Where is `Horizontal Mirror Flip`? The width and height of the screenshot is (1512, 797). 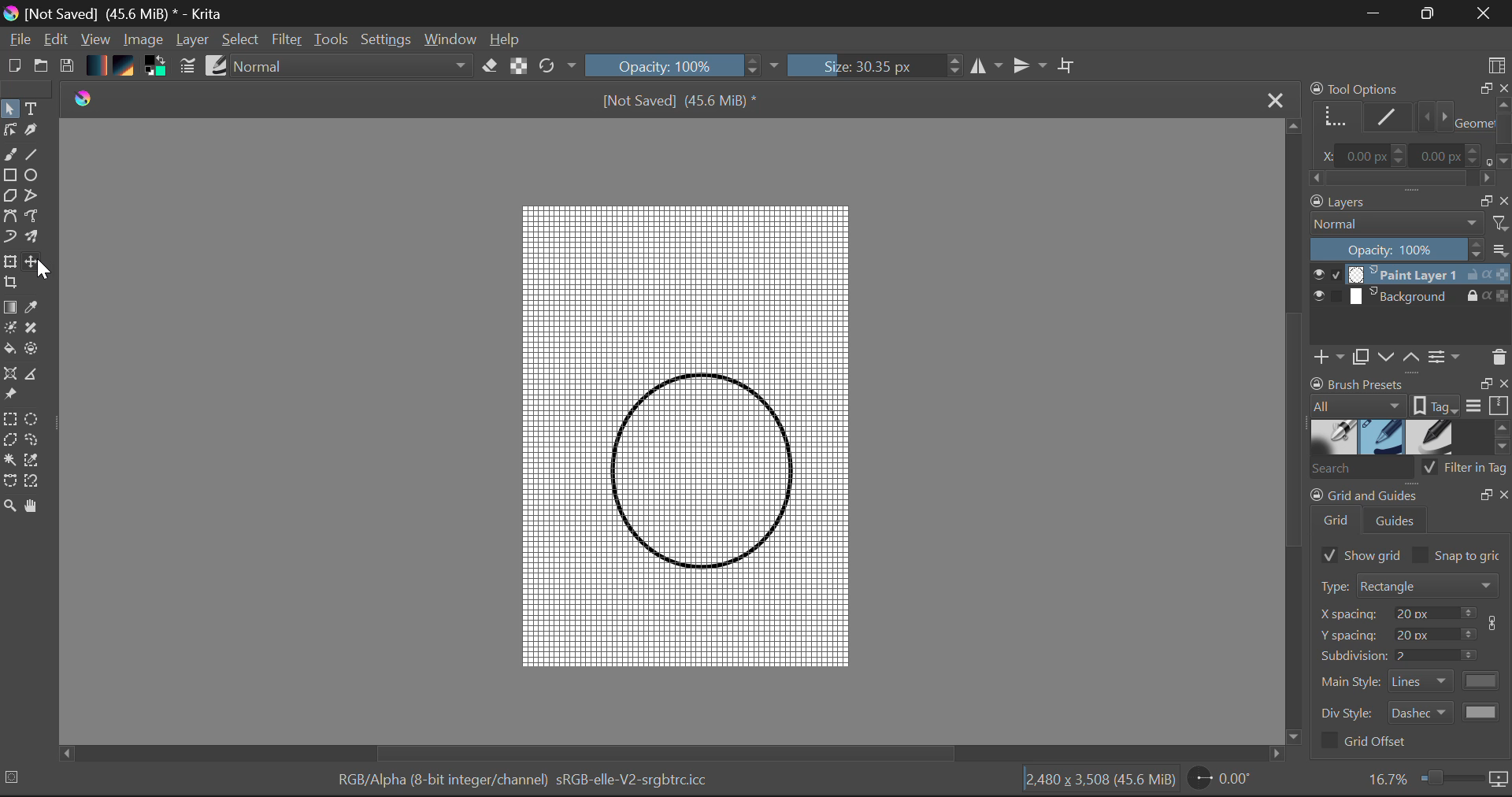
Horizontal Mirror Flip is located at coordinates (1032, 65).